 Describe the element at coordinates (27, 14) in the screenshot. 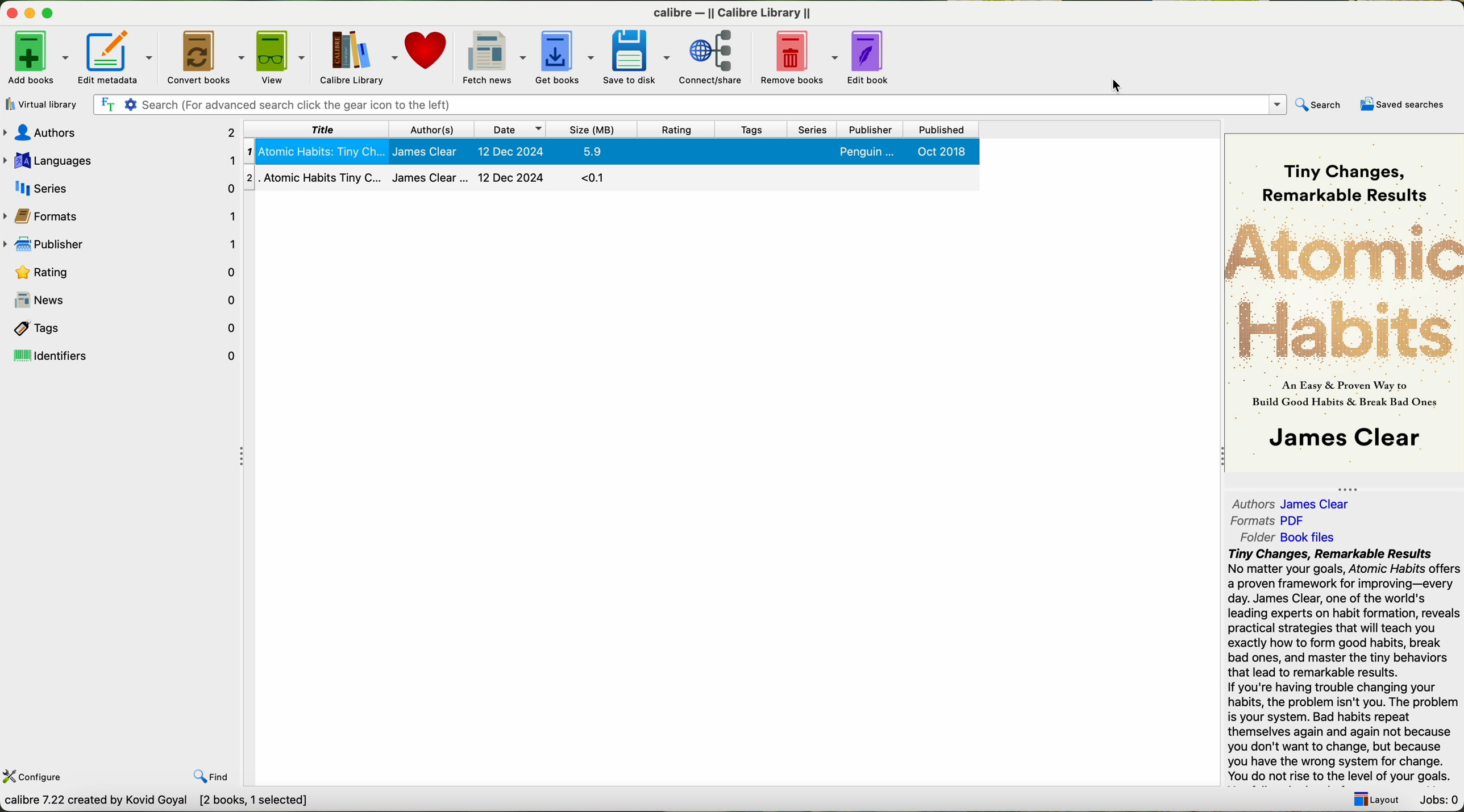

I see `minimize` at that location.